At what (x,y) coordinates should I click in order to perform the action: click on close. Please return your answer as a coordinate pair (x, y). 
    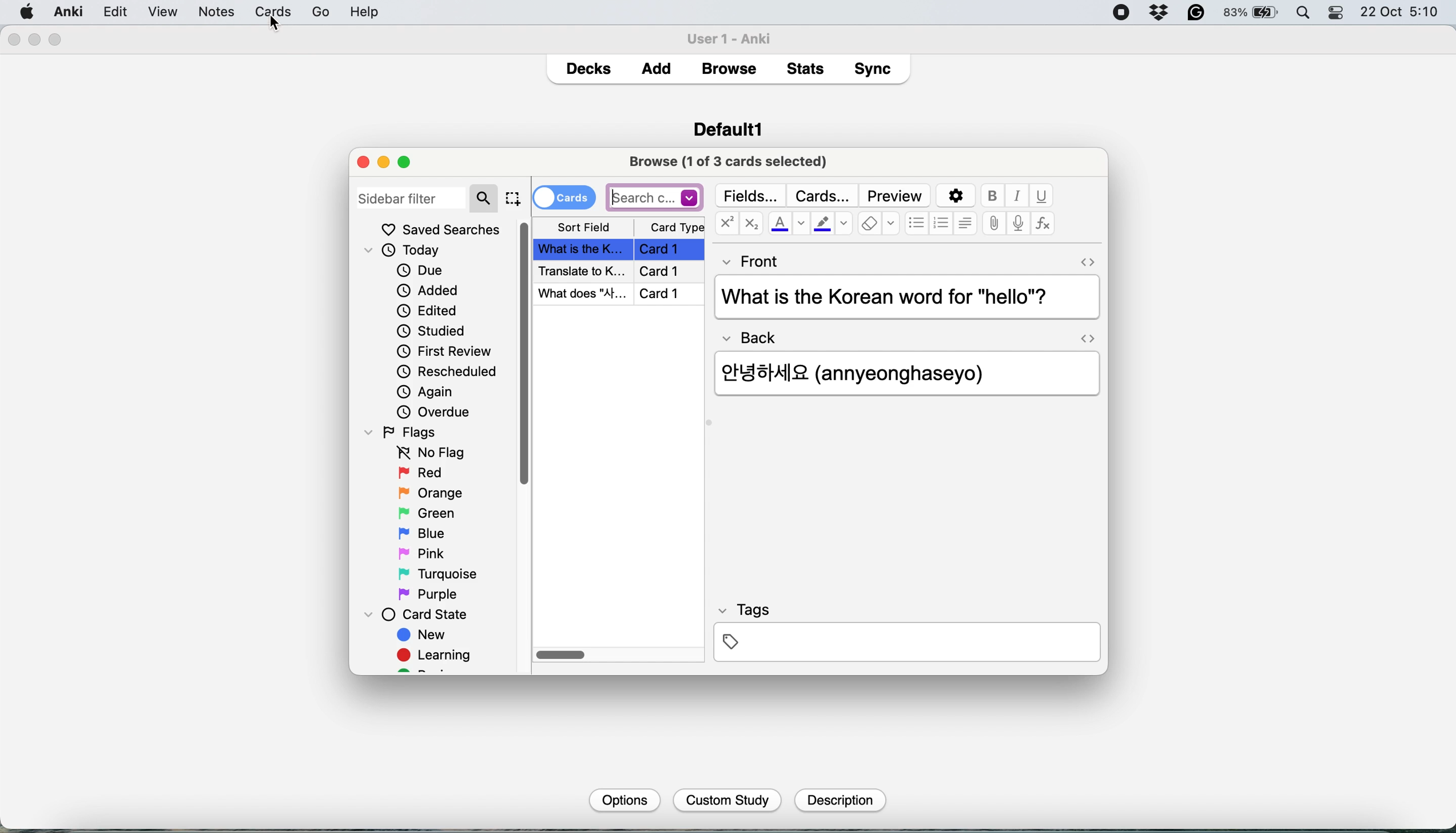
    Looking at the image, I should click on (13, 40).